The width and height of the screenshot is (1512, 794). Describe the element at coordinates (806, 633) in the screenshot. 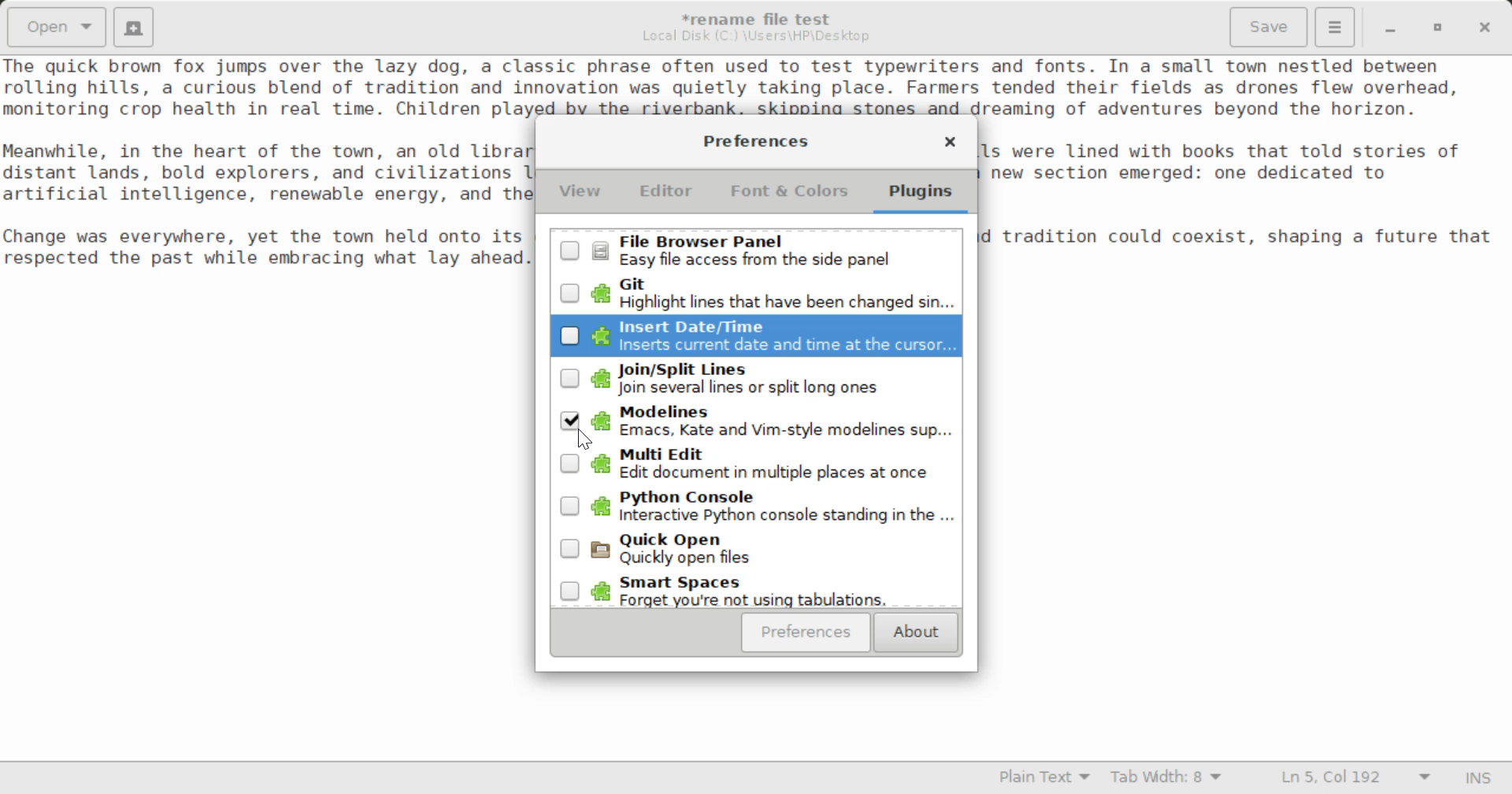

I see `Preferences` at that location.